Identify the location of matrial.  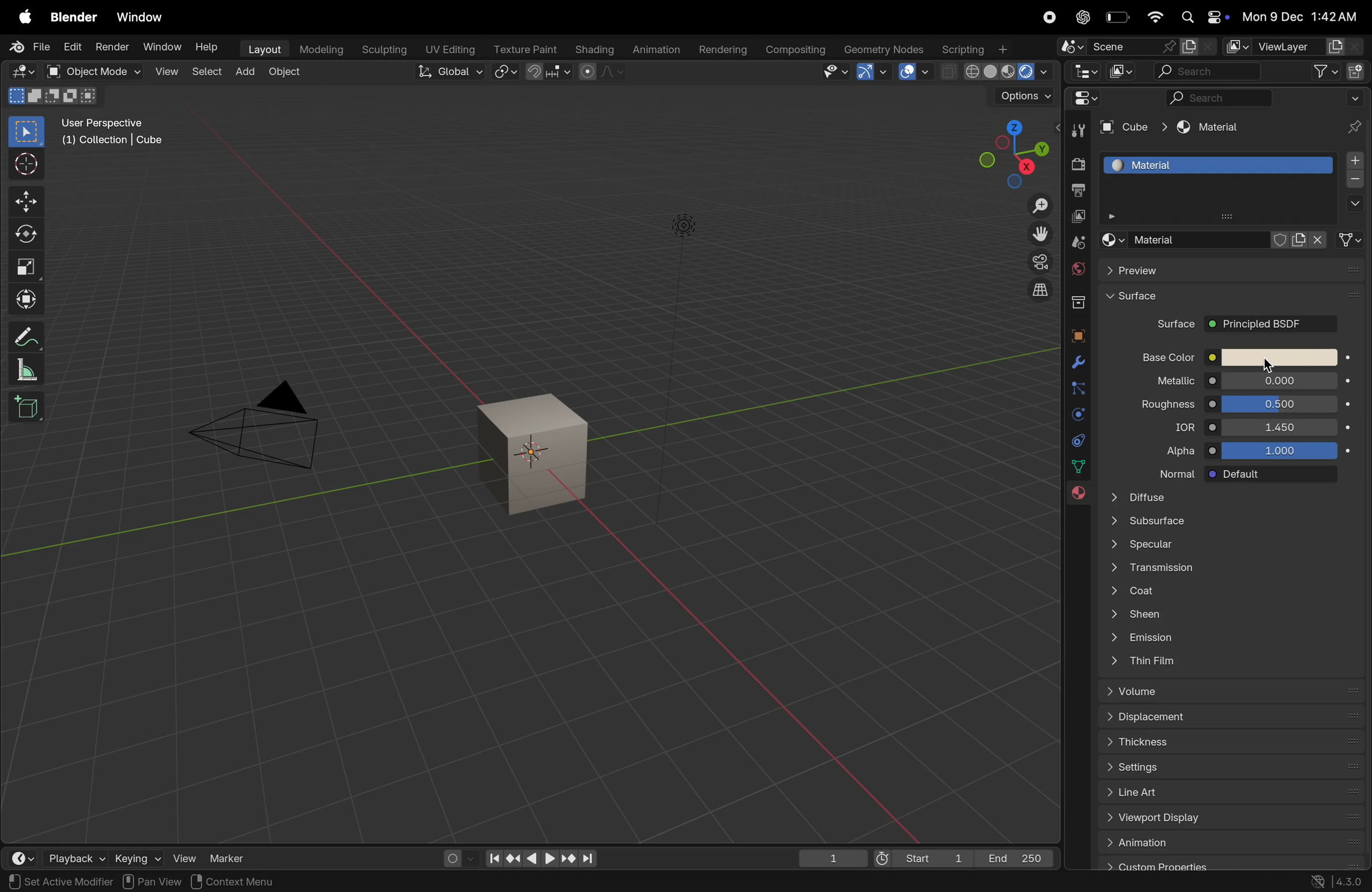
(1199, 237).